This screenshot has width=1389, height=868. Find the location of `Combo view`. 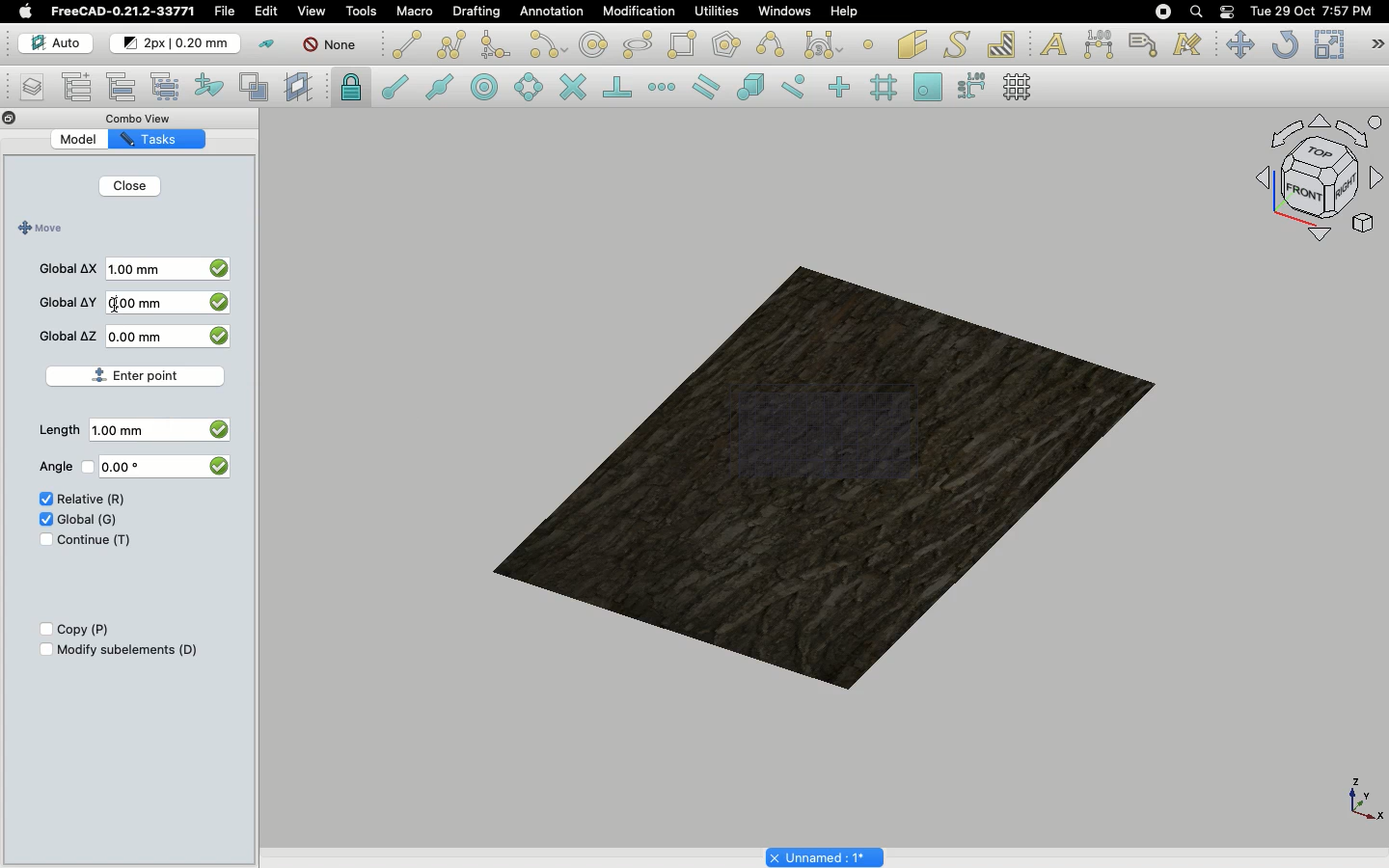

Combo view is located at coordinates (149, 118).